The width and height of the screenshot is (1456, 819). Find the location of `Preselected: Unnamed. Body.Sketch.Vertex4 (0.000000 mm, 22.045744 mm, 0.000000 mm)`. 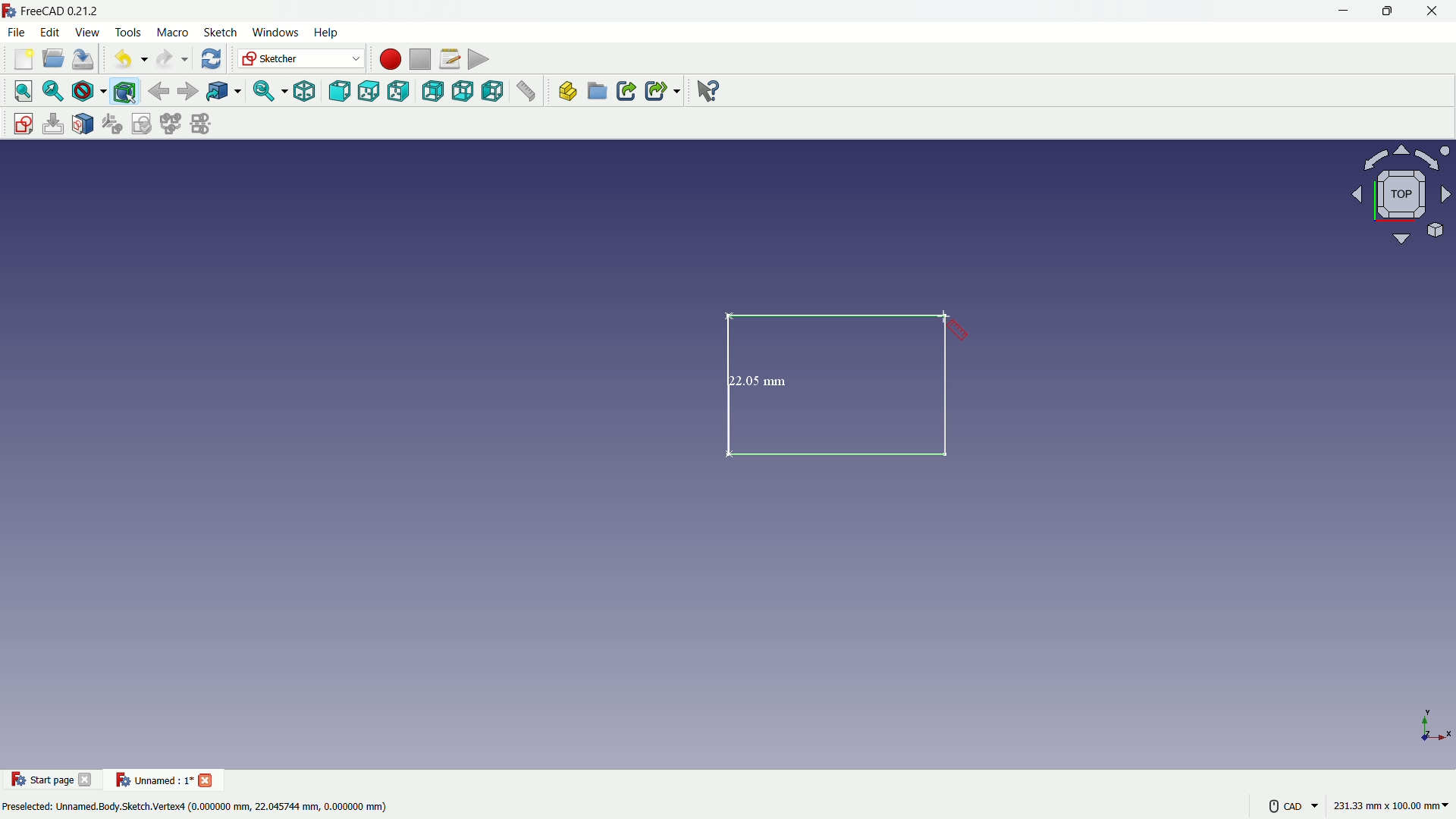

Preselected: Unnamed. Body.Sketch.Vertex4 (0.000000 mm, 22.045744 mm, 0.000000 mm) is located at coordinates (197, 805).